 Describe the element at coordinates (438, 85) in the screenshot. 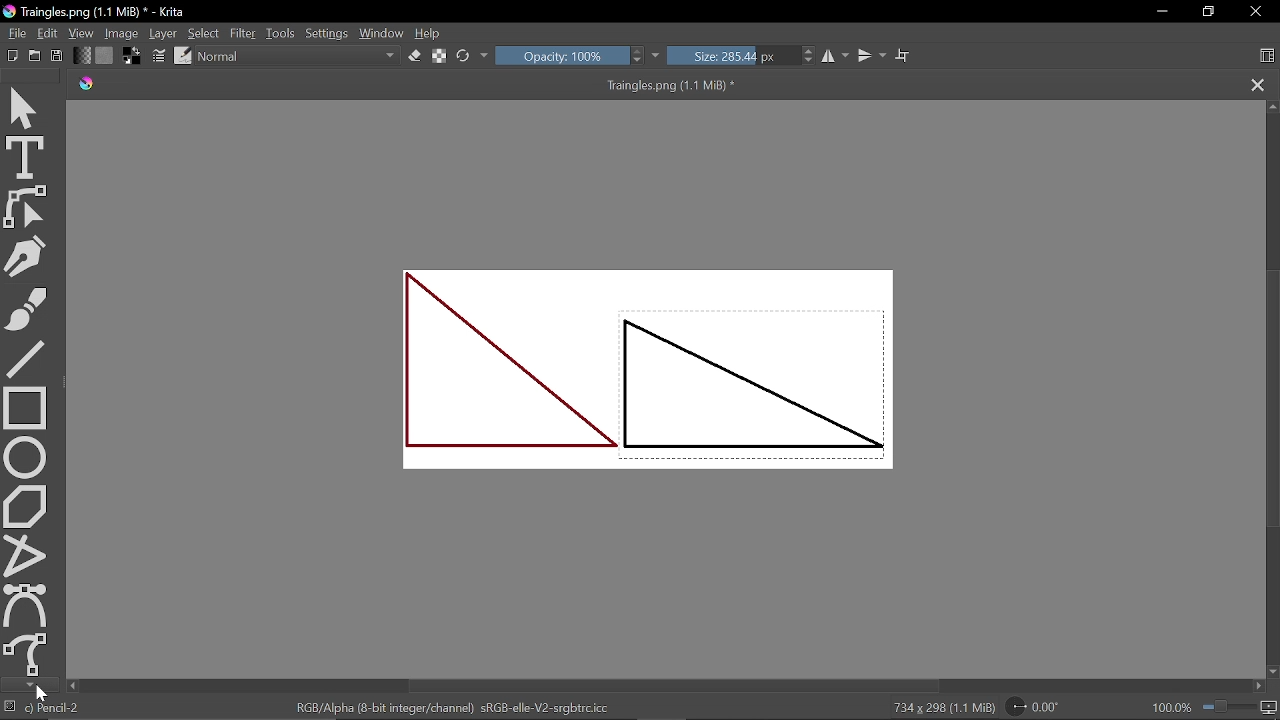

I see `Traingles.png (1.1 MiB) *` at that location.